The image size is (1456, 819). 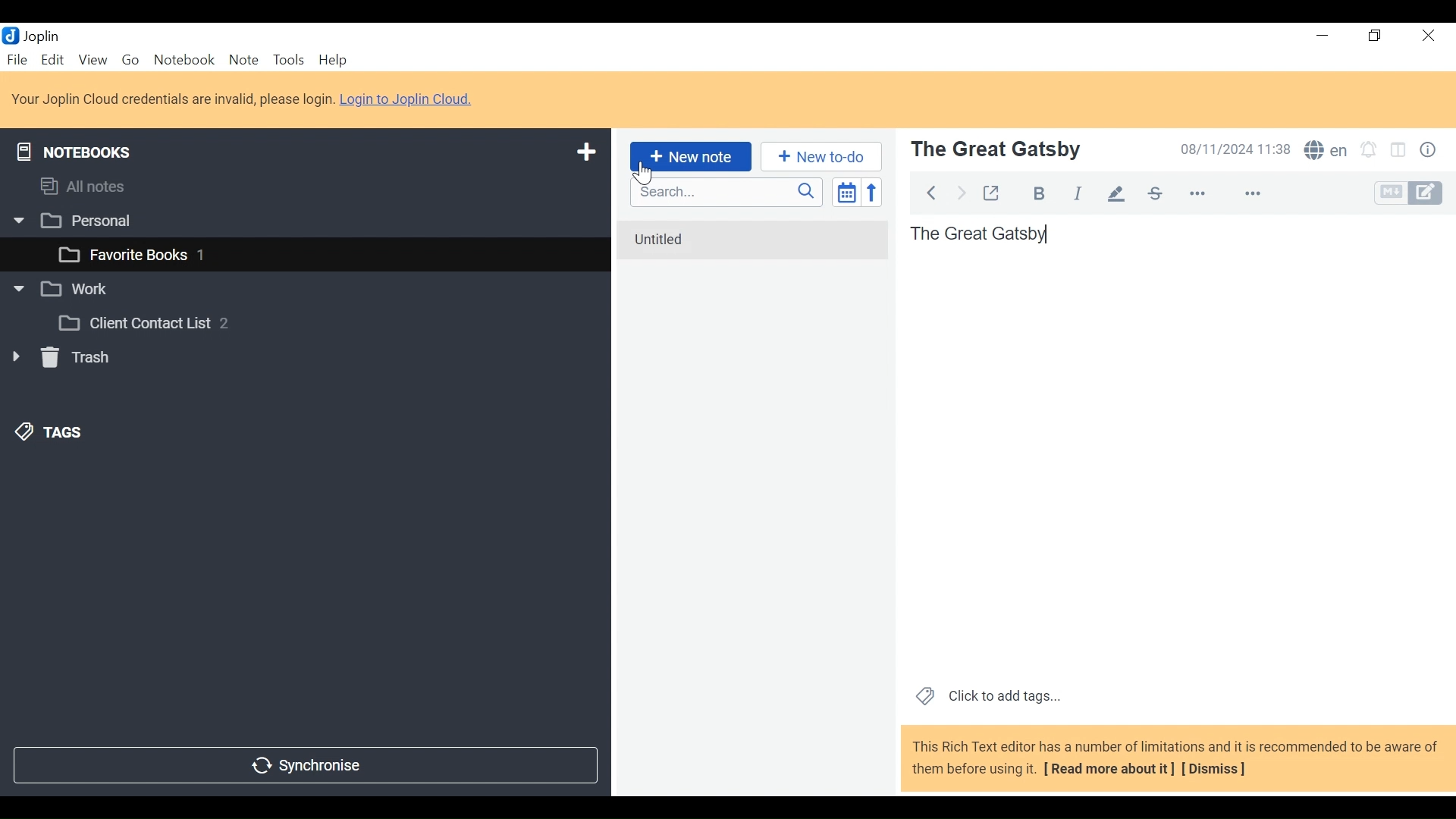 What do you see at coordinates (990, 697) in the screenshot?
I see `Click to add tags` at bounding box center [990, 697].